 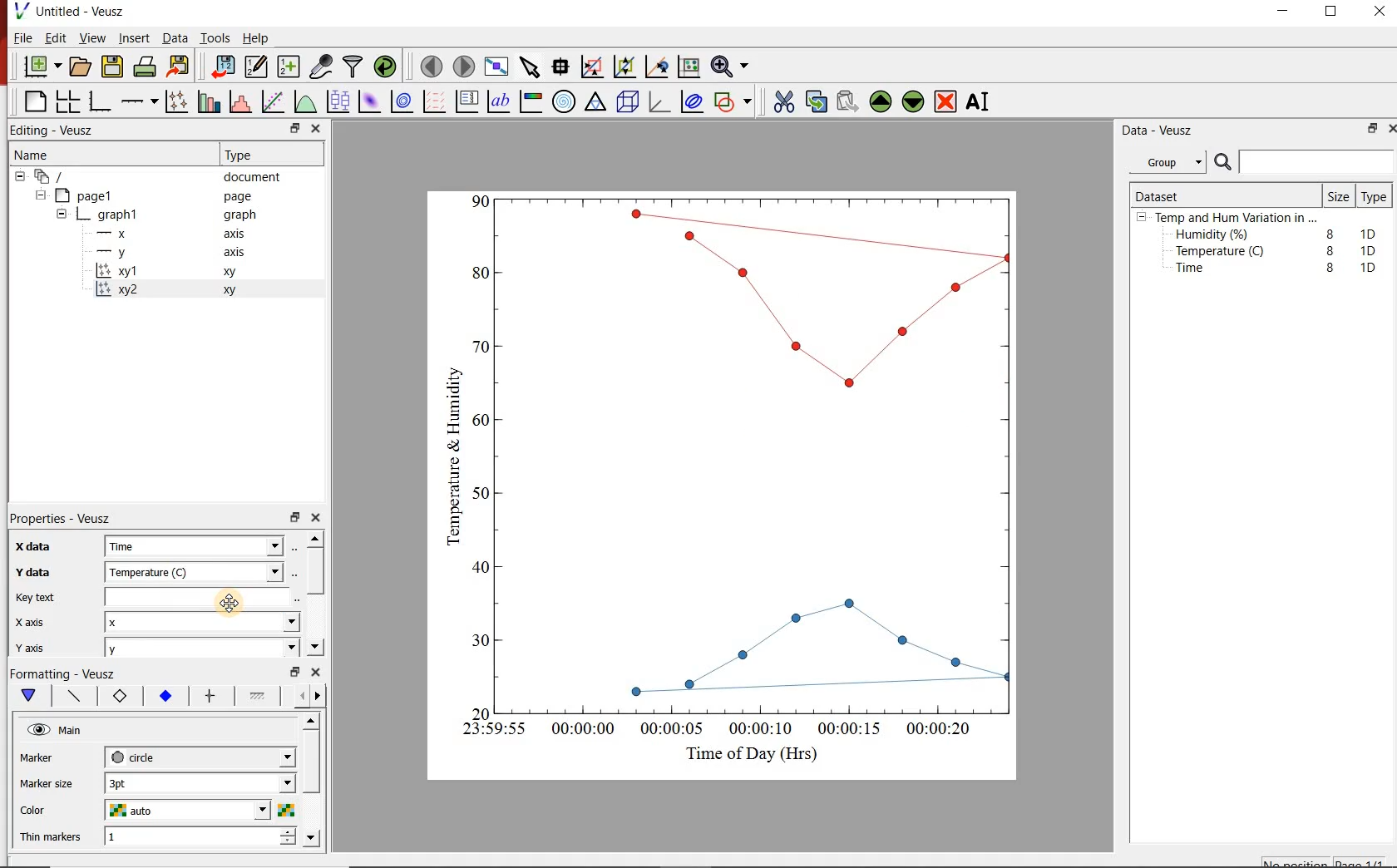 What do you see at coordinates (237, 811) in the screenshot?
I see `Color dropdown` at bounding box center [237, 811].